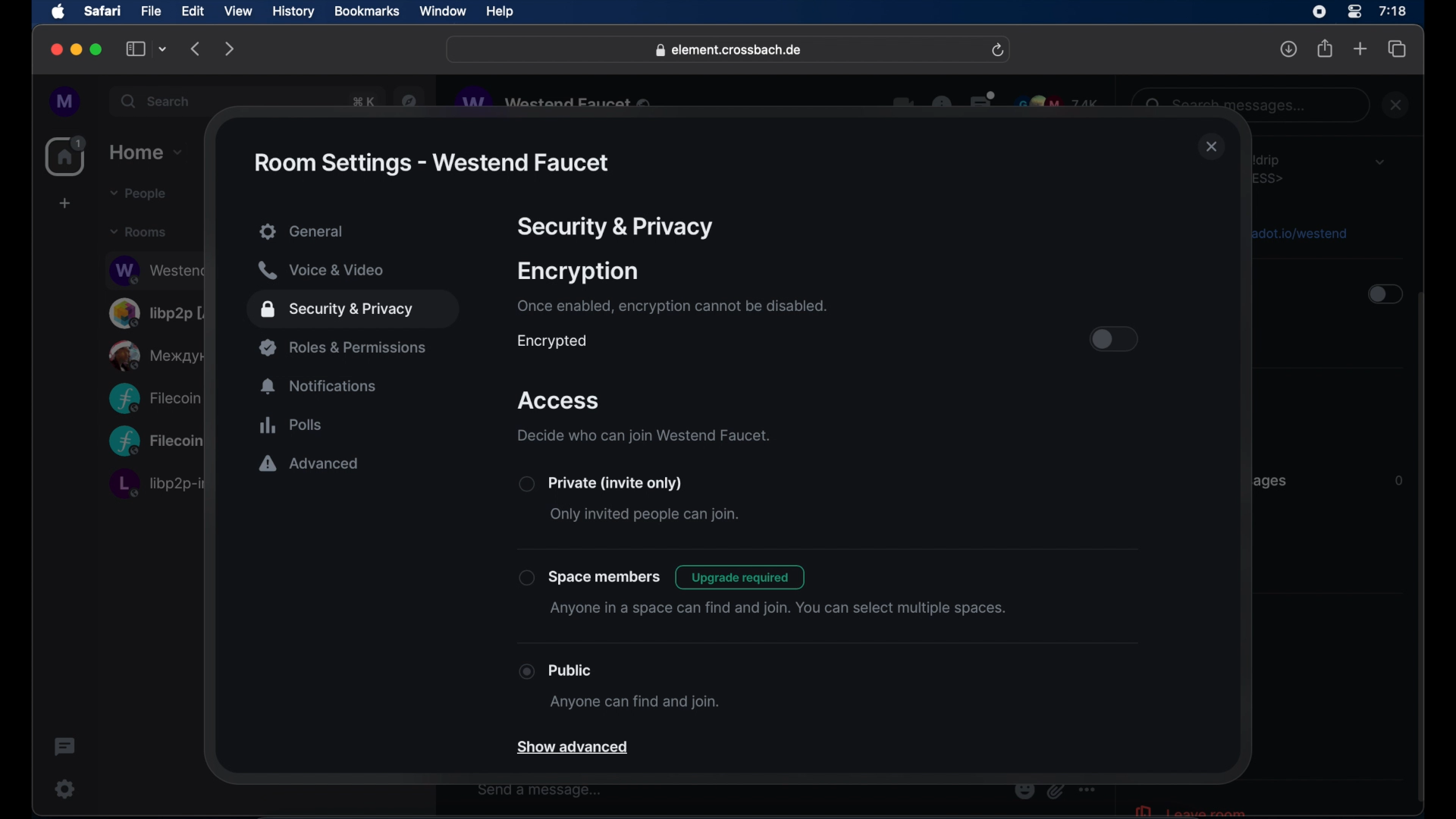  Describe the element at coordinates (320, 387) in the screenshot. I see `notifications` at that location.